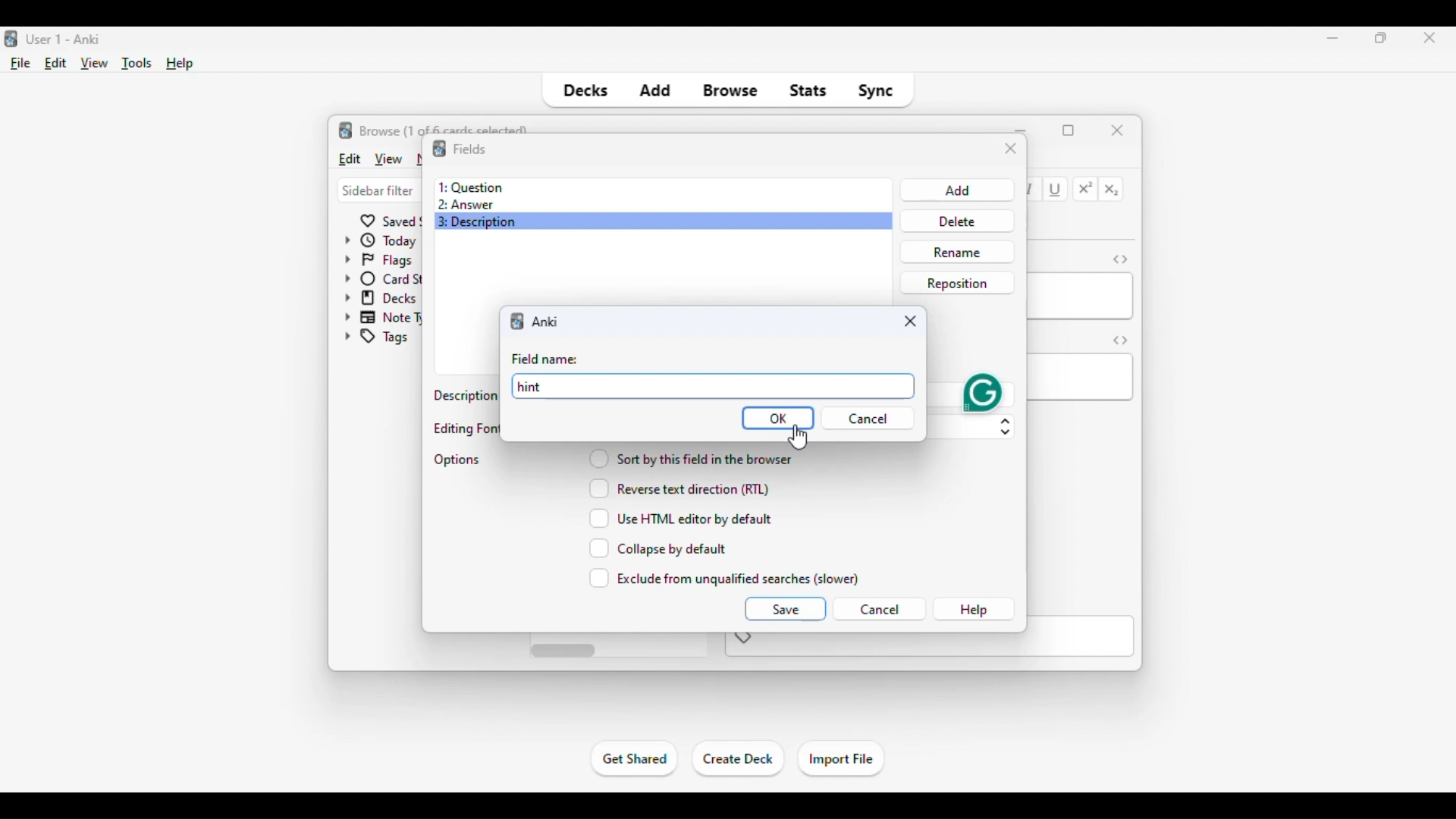 The height and width of the screenshot is (819, 1456). I want to click on 3: Description, so click(484, 224).